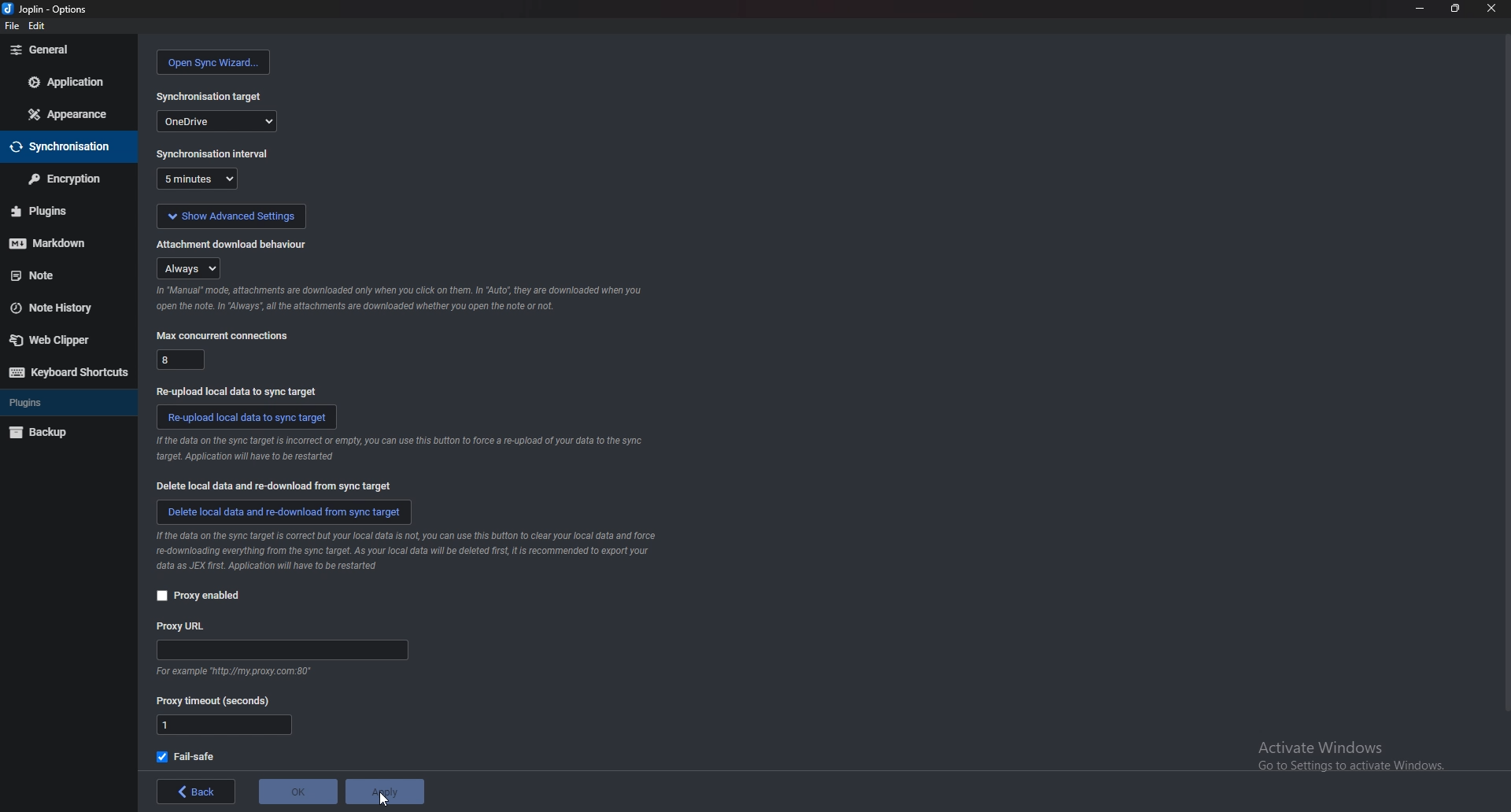  Describe the element at coordinates (224, 726) in the screenshot. I see `proxy timeout input` at that location.